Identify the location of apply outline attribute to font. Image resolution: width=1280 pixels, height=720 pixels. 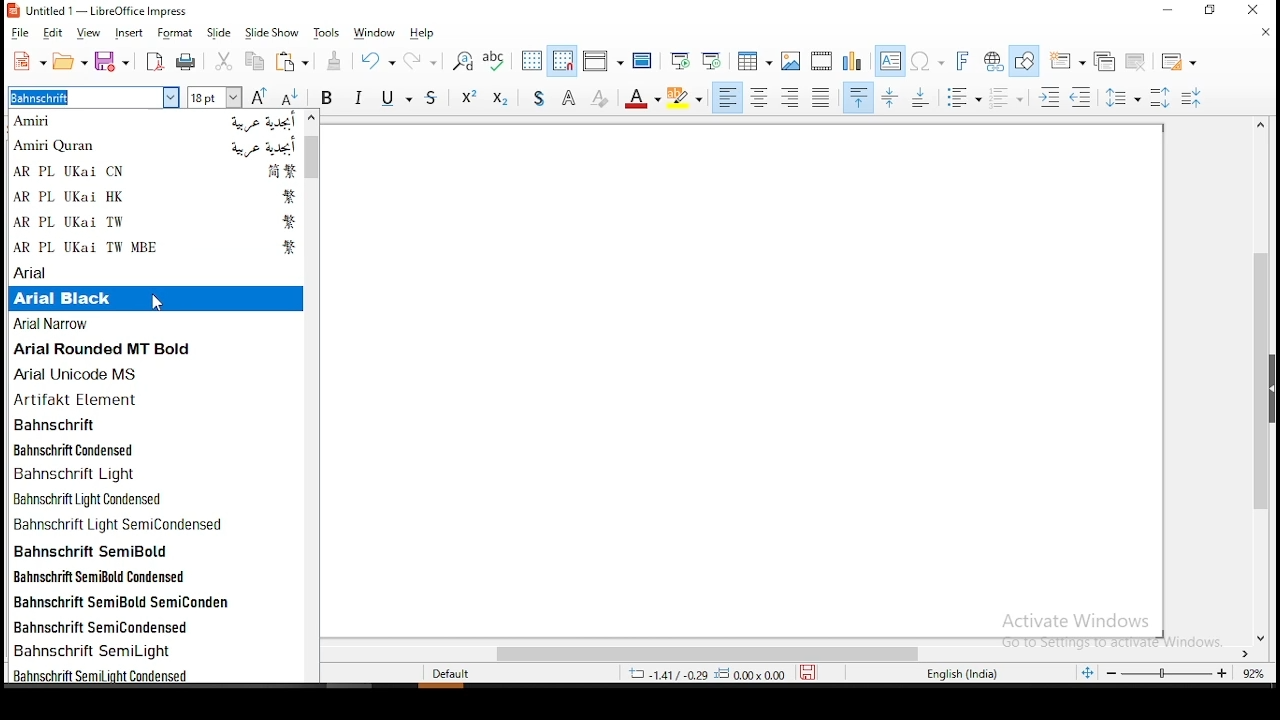
(569, 98).